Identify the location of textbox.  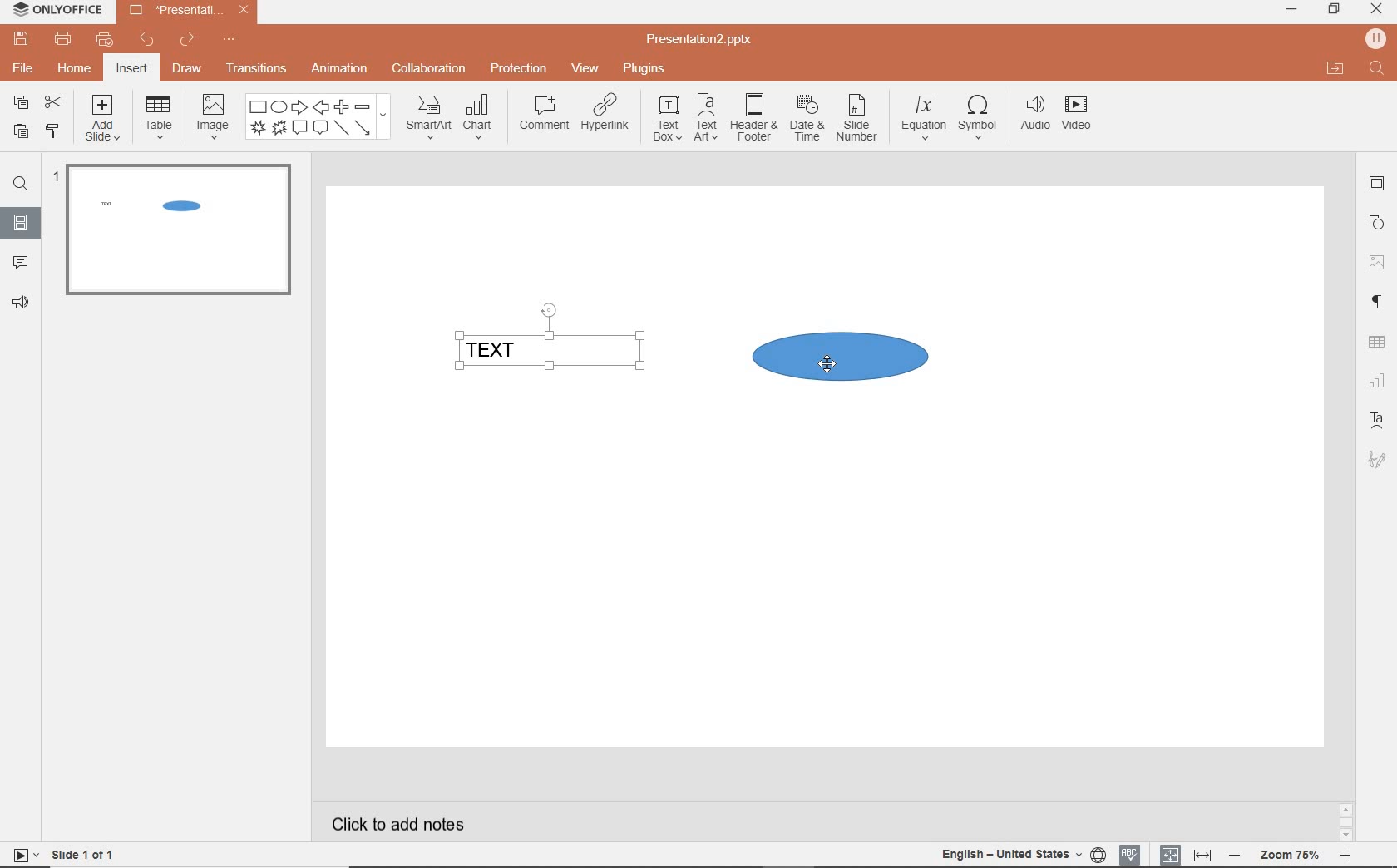
(665, 119).